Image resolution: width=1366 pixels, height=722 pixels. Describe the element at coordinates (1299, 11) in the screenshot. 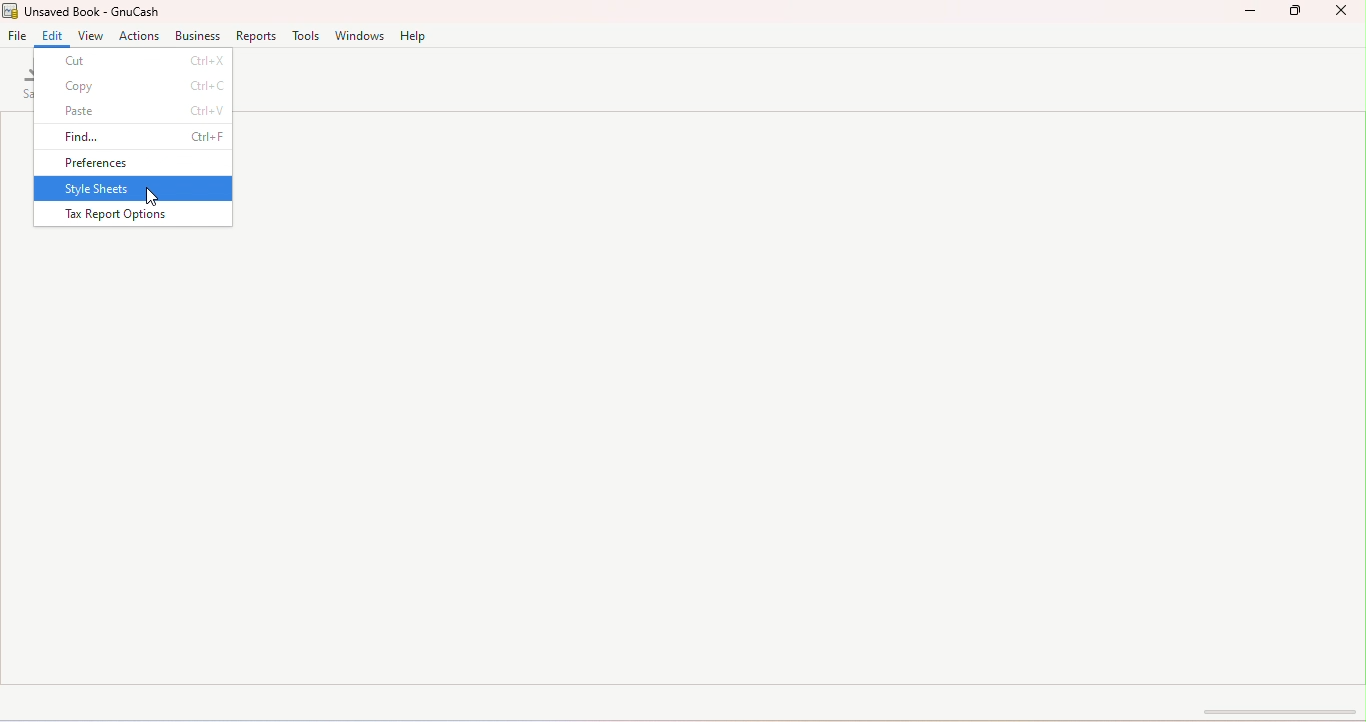

I see `Maximize` at that location.